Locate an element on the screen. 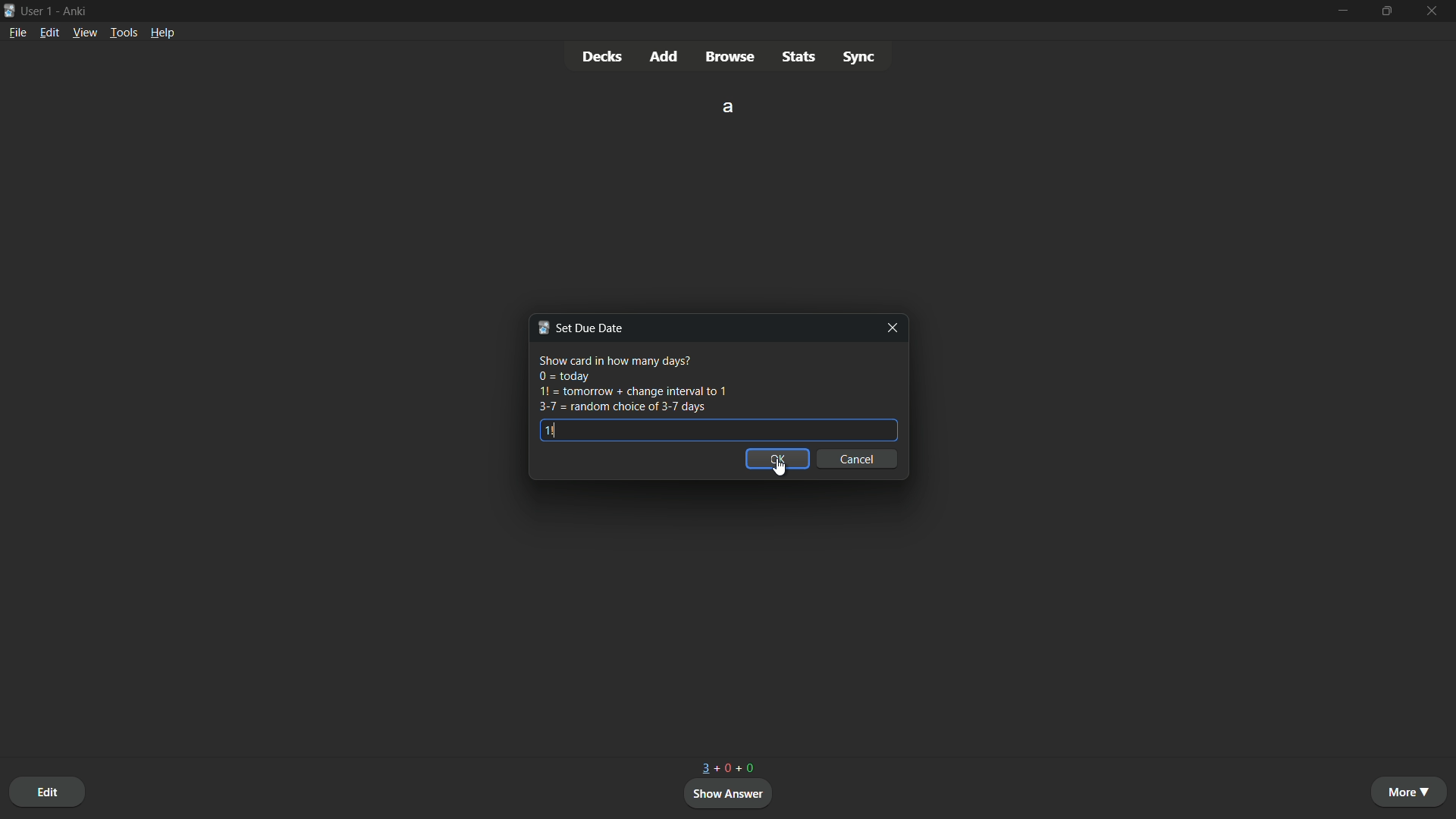  3-7 = random choice of 3-7 days is located at coordinates (621, 407).